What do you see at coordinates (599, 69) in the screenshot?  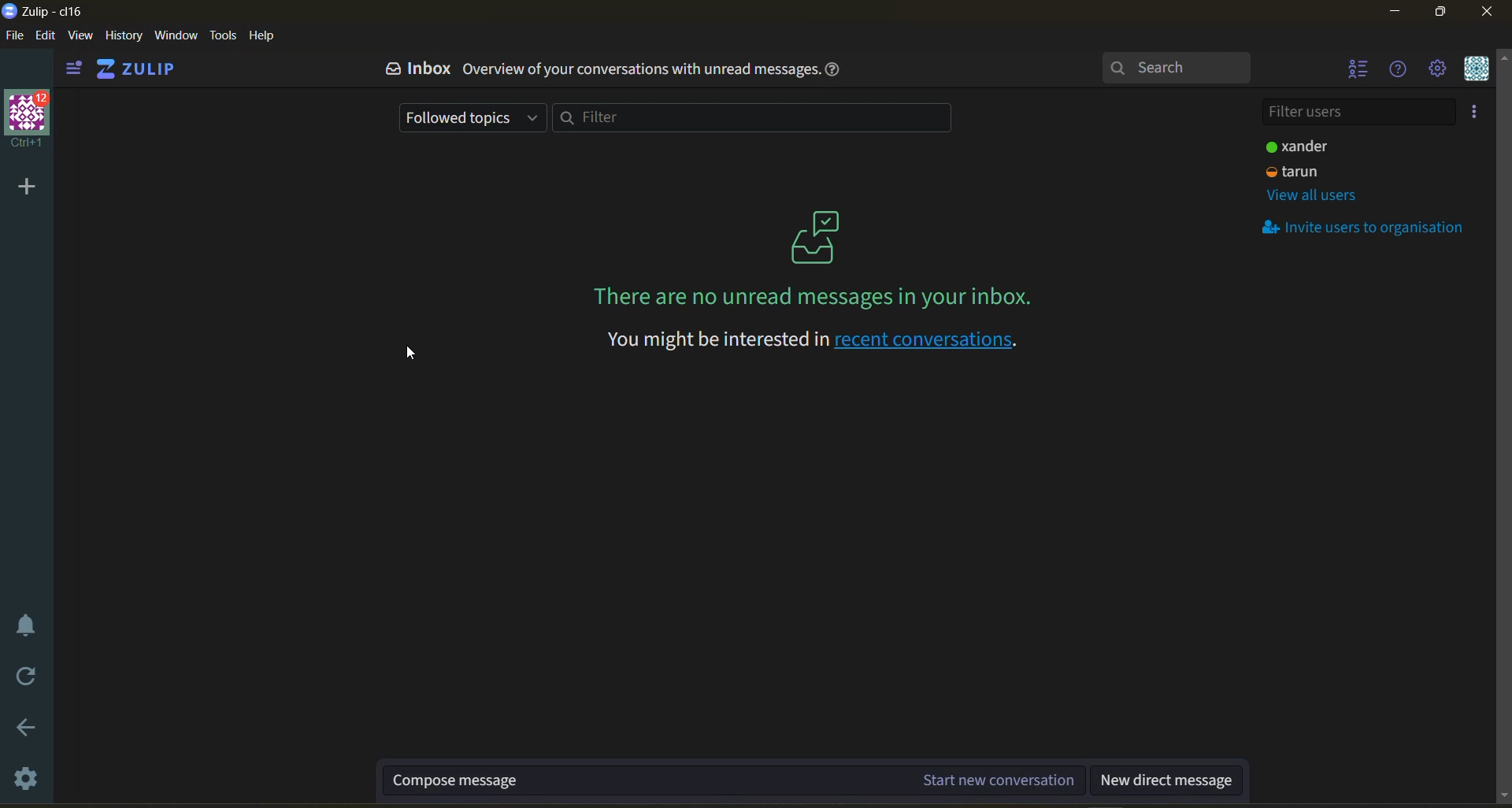 I see `inbox overview of your conversation with unread messages` at bounding box center [599, 69].